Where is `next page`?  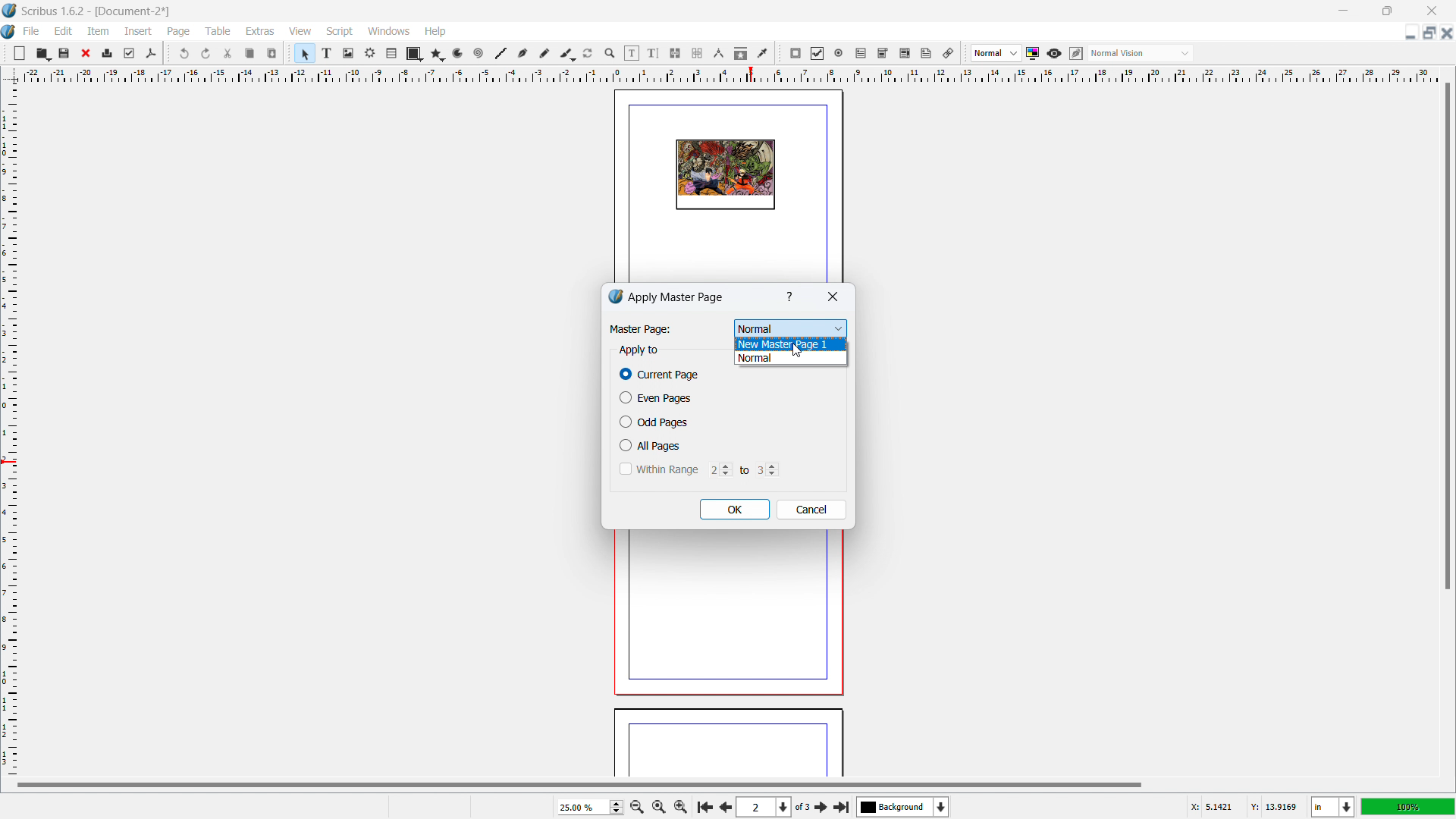 next page is located at coordinates (822, 806).